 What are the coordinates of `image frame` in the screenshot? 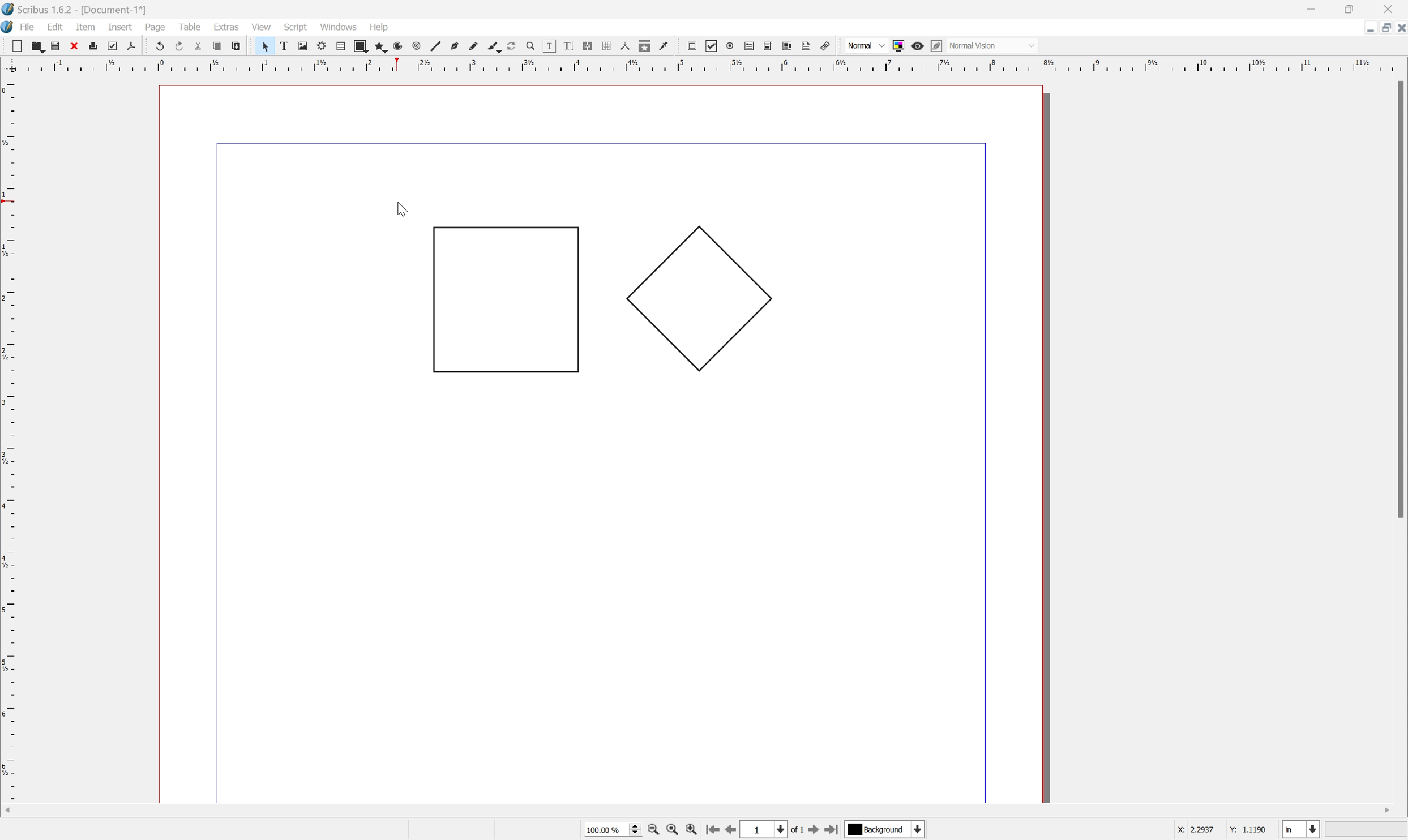 It's located at (298, 46).